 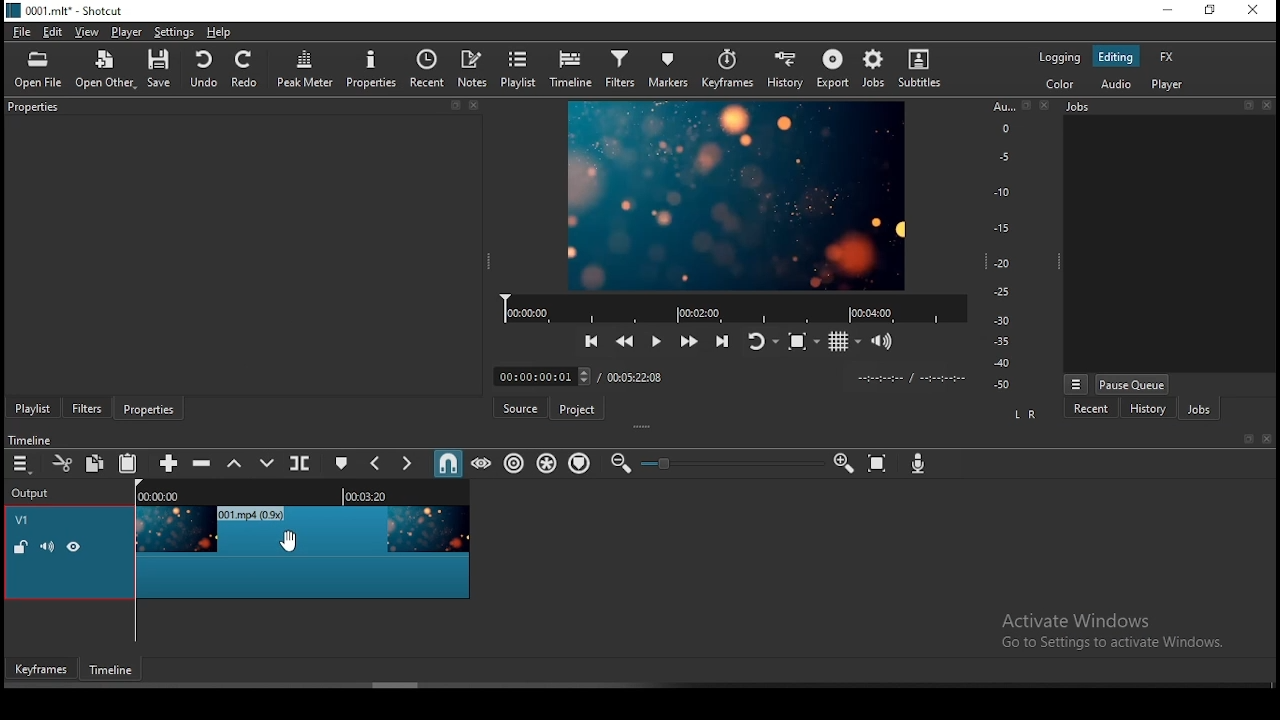 What do you see at coordinates (23, 32) in the screenshot?
I see `file` at bounding box center [23, 32].